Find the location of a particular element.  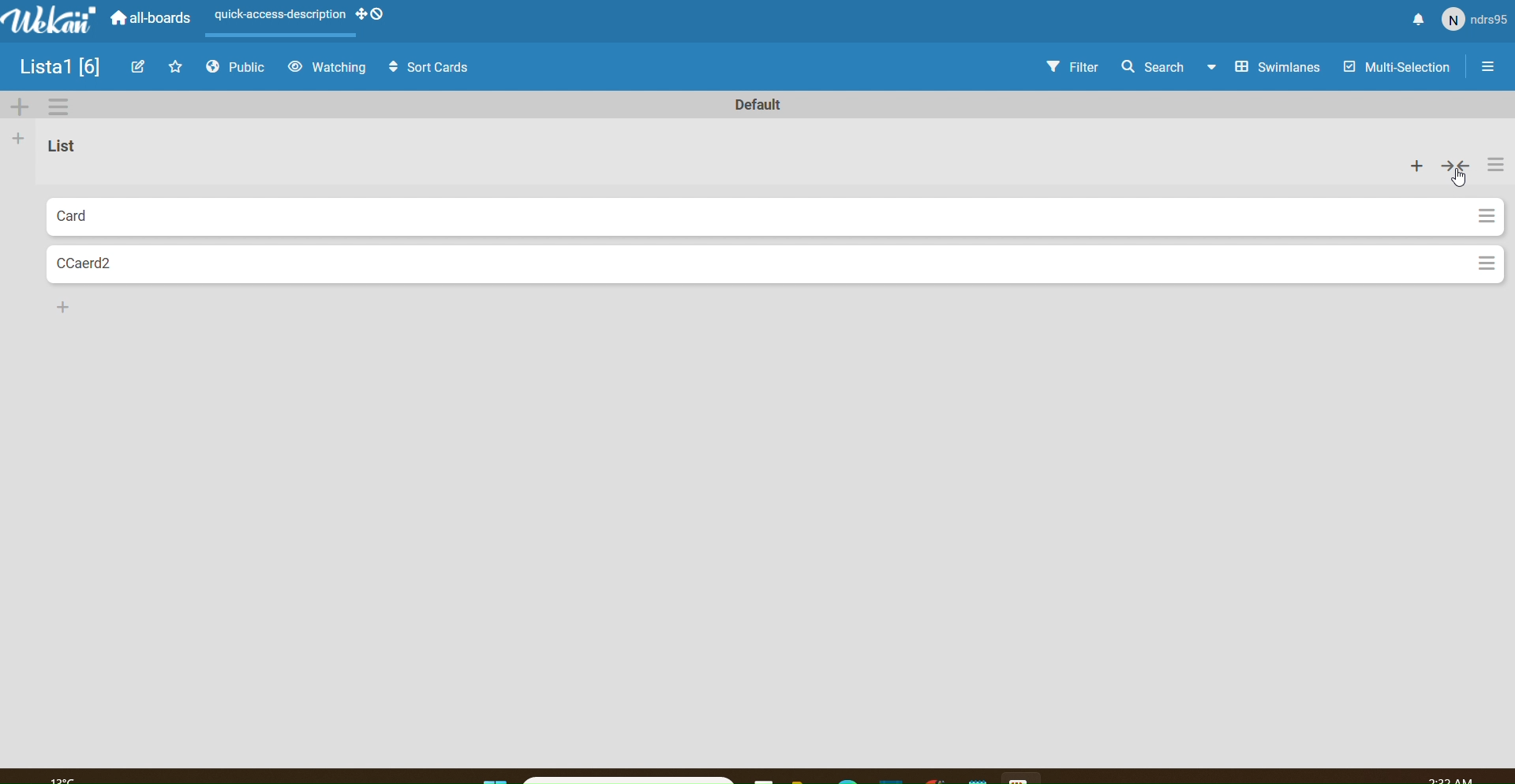

Image is located at coordinates (65, 67).